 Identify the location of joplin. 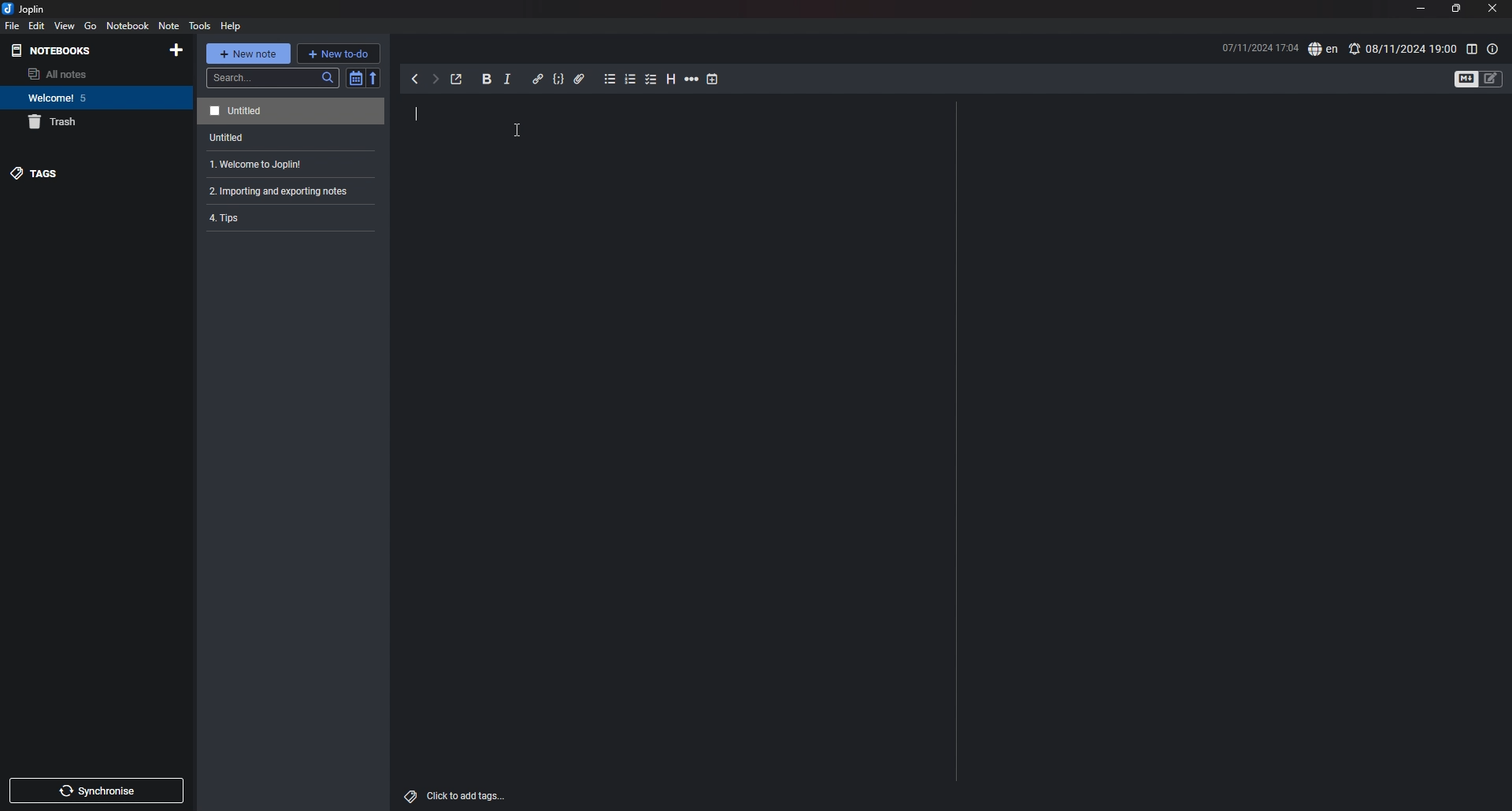
(31, 9).